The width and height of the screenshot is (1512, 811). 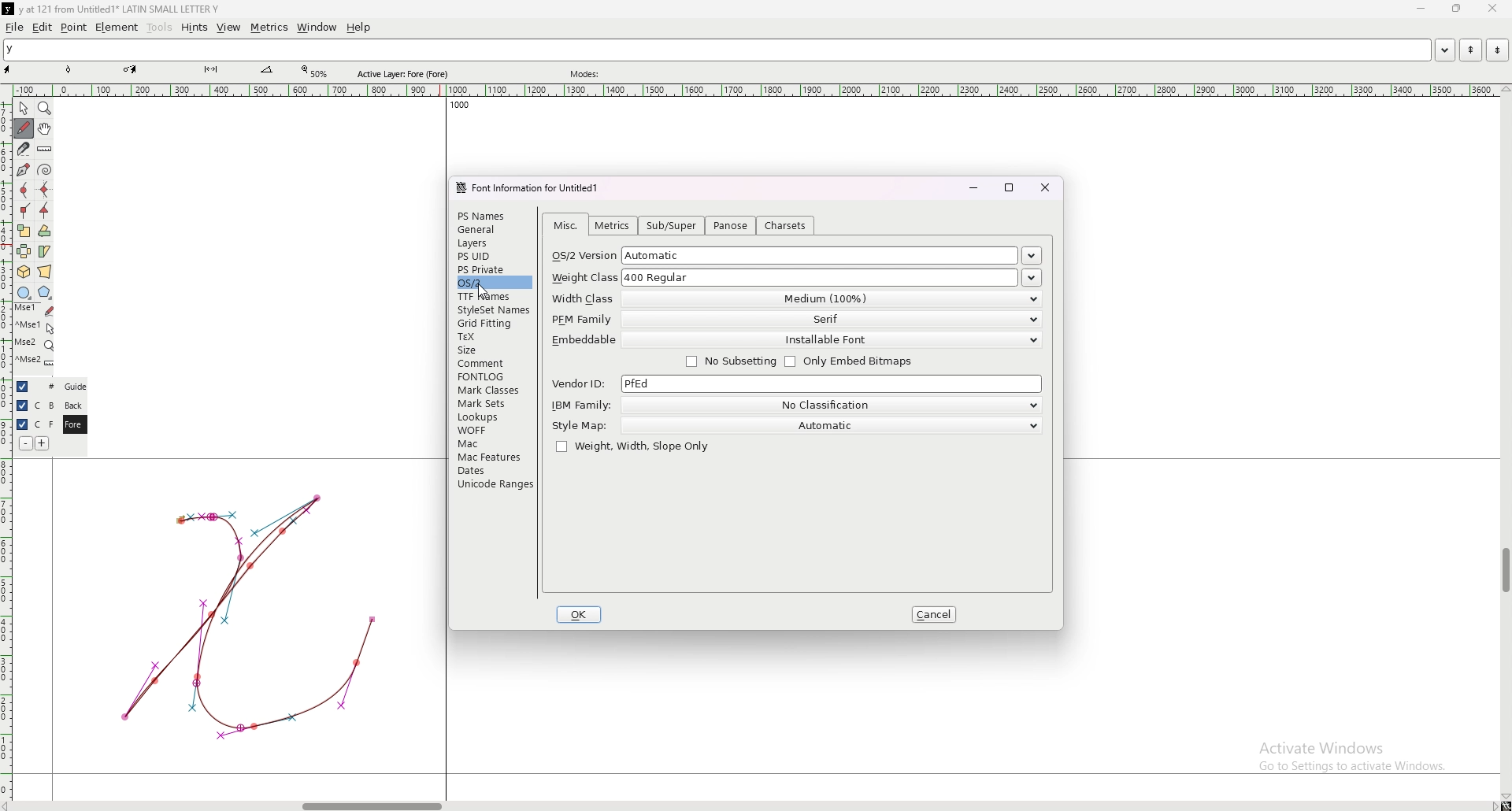 I want to click on ps private, so click(x=495, y=269).